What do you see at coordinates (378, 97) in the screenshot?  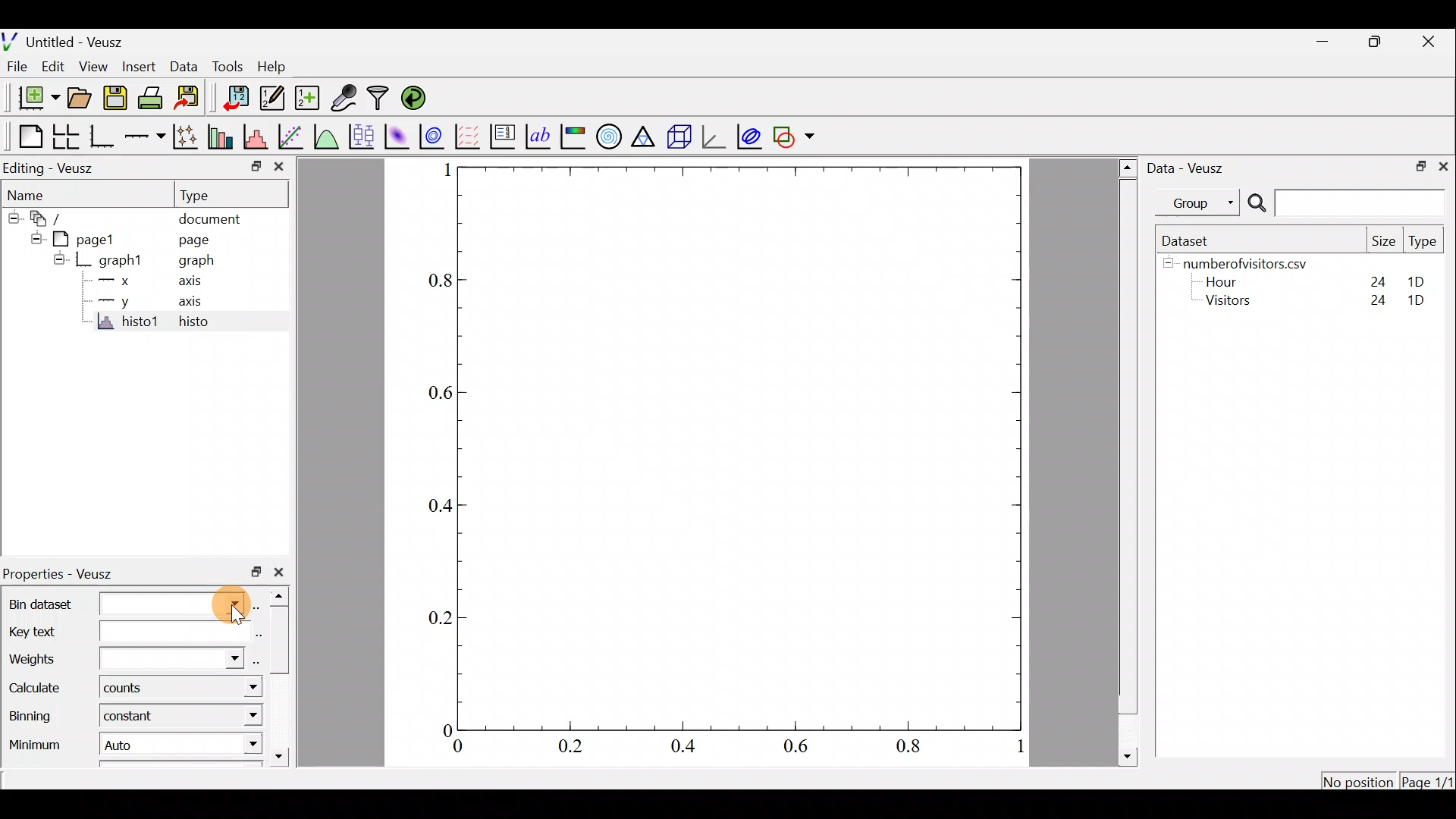 I see `Filter data` at bounding box center [378, 97].